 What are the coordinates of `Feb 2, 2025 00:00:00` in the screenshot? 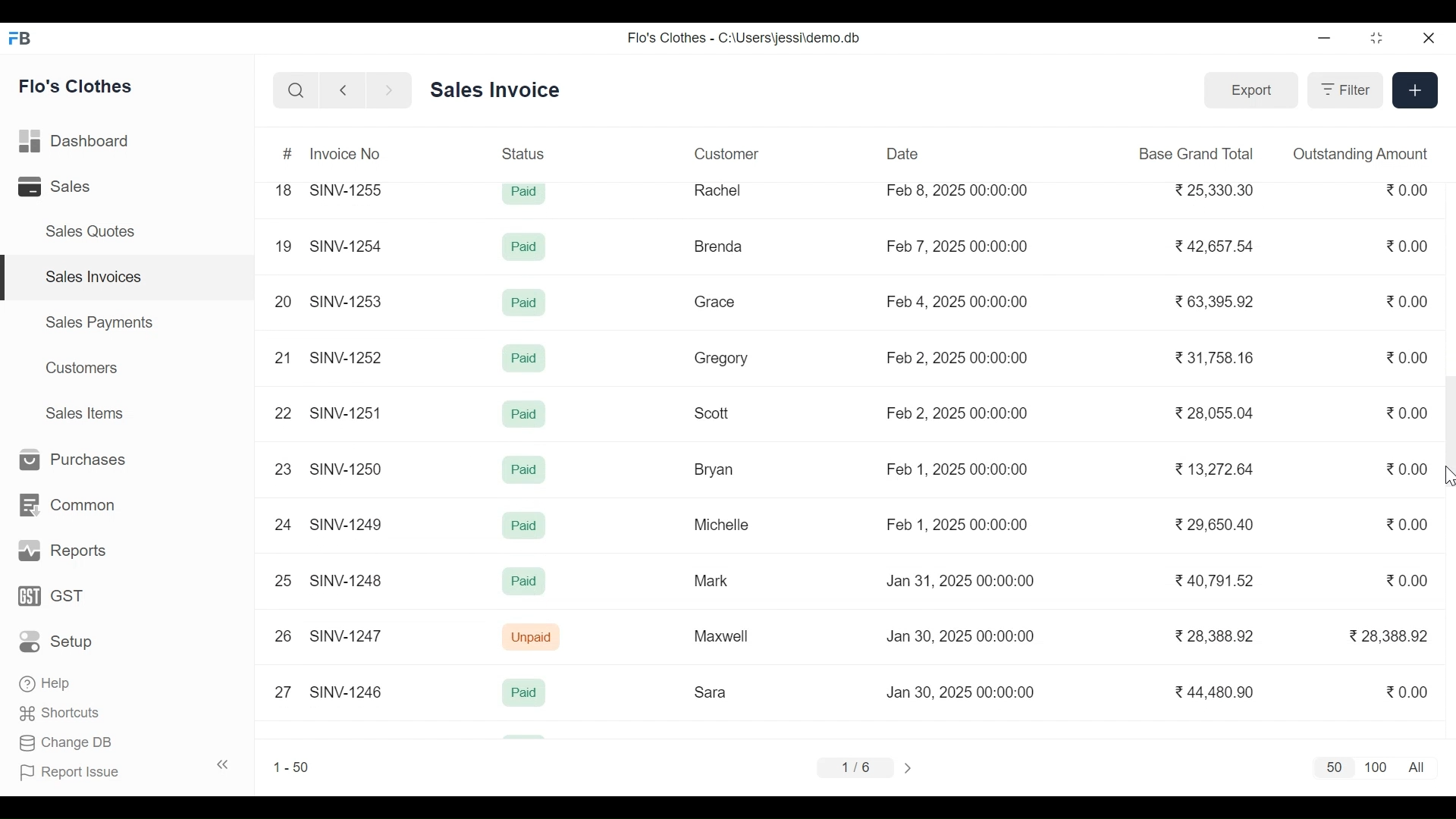 It's located at (956, 413).